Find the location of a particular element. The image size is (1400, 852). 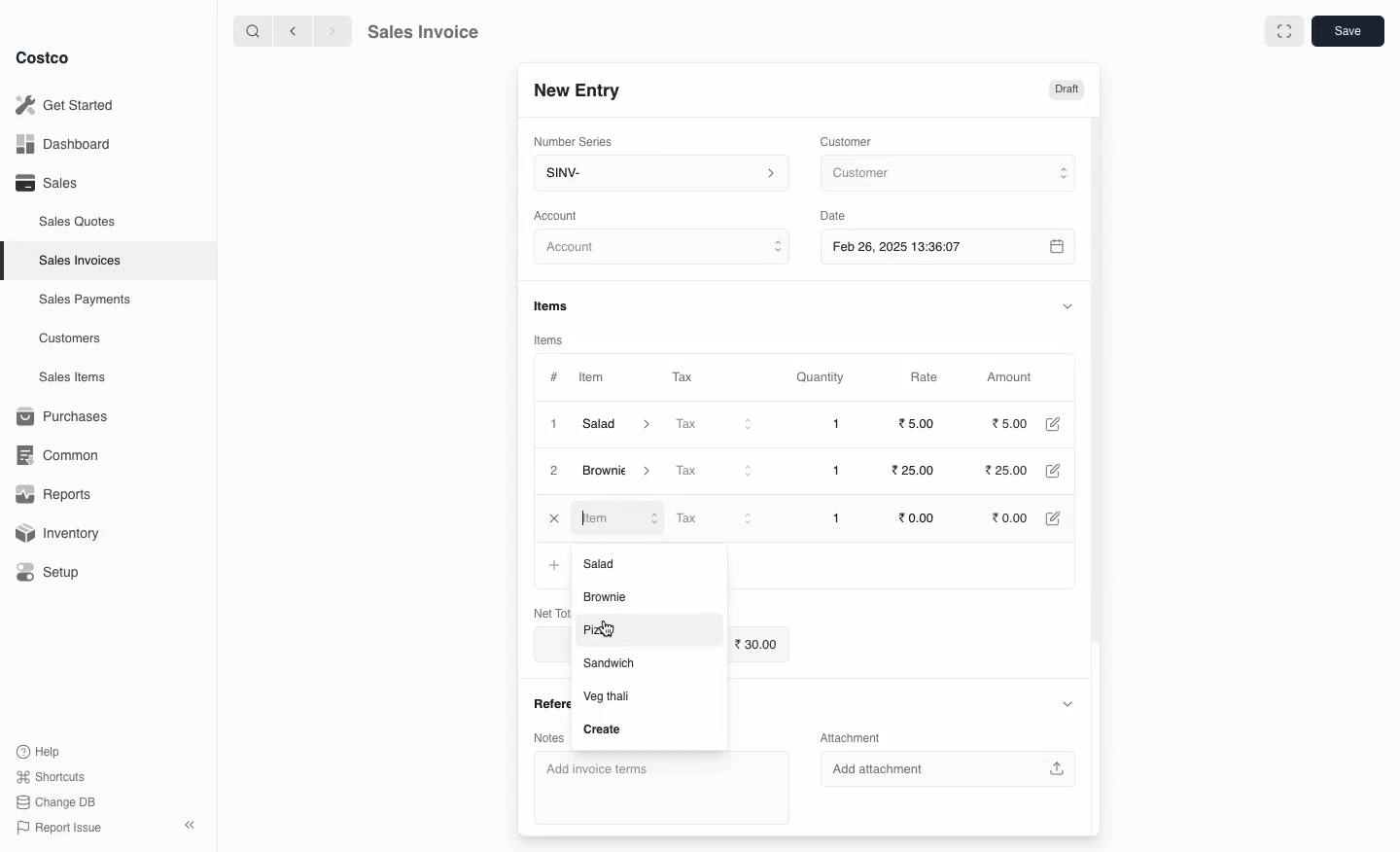

New Entry is located at coordinates (576, 89).